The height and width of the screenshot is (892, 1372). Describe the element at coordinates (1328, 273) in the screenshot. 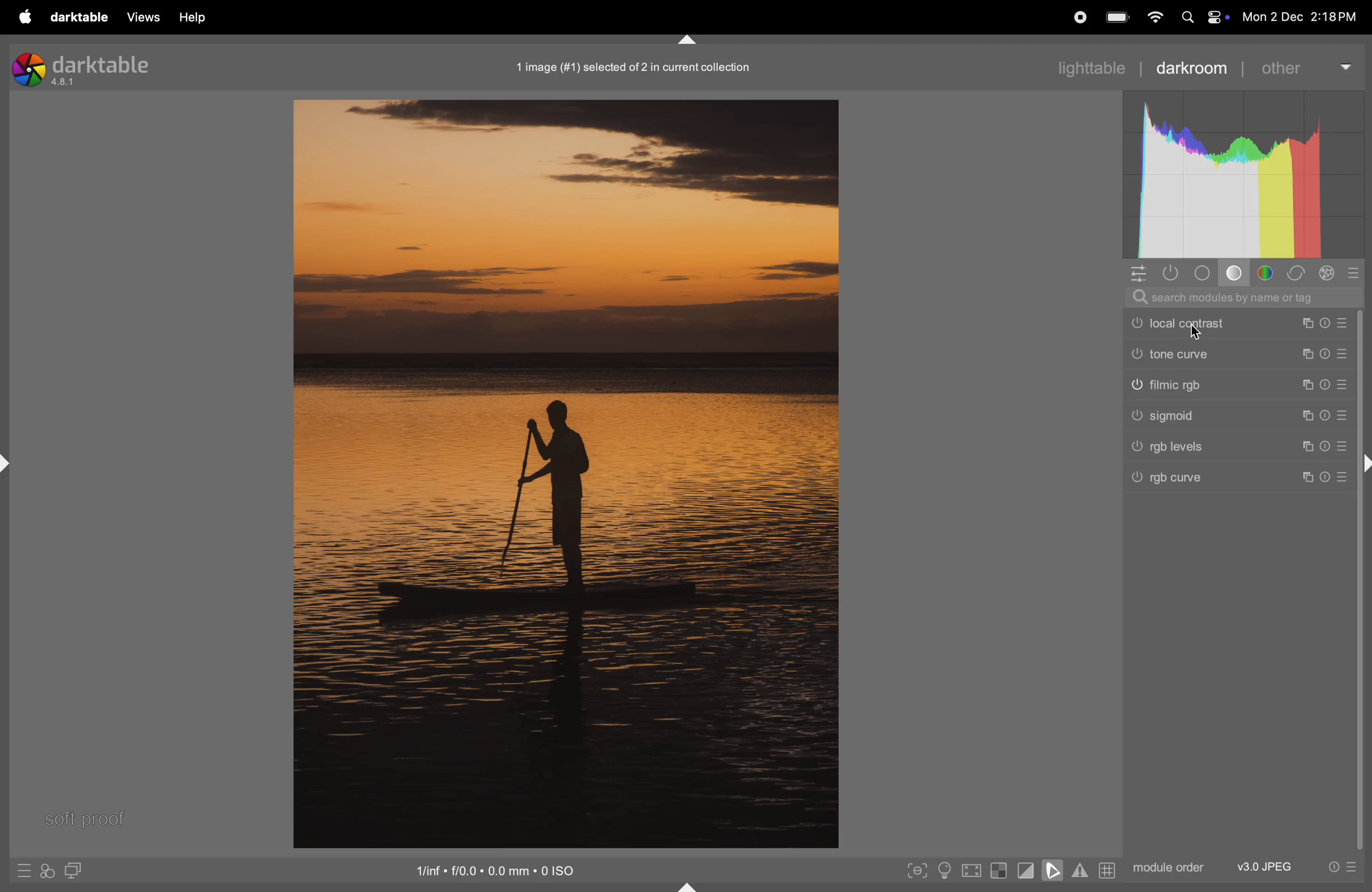

I see `effect` at that location.